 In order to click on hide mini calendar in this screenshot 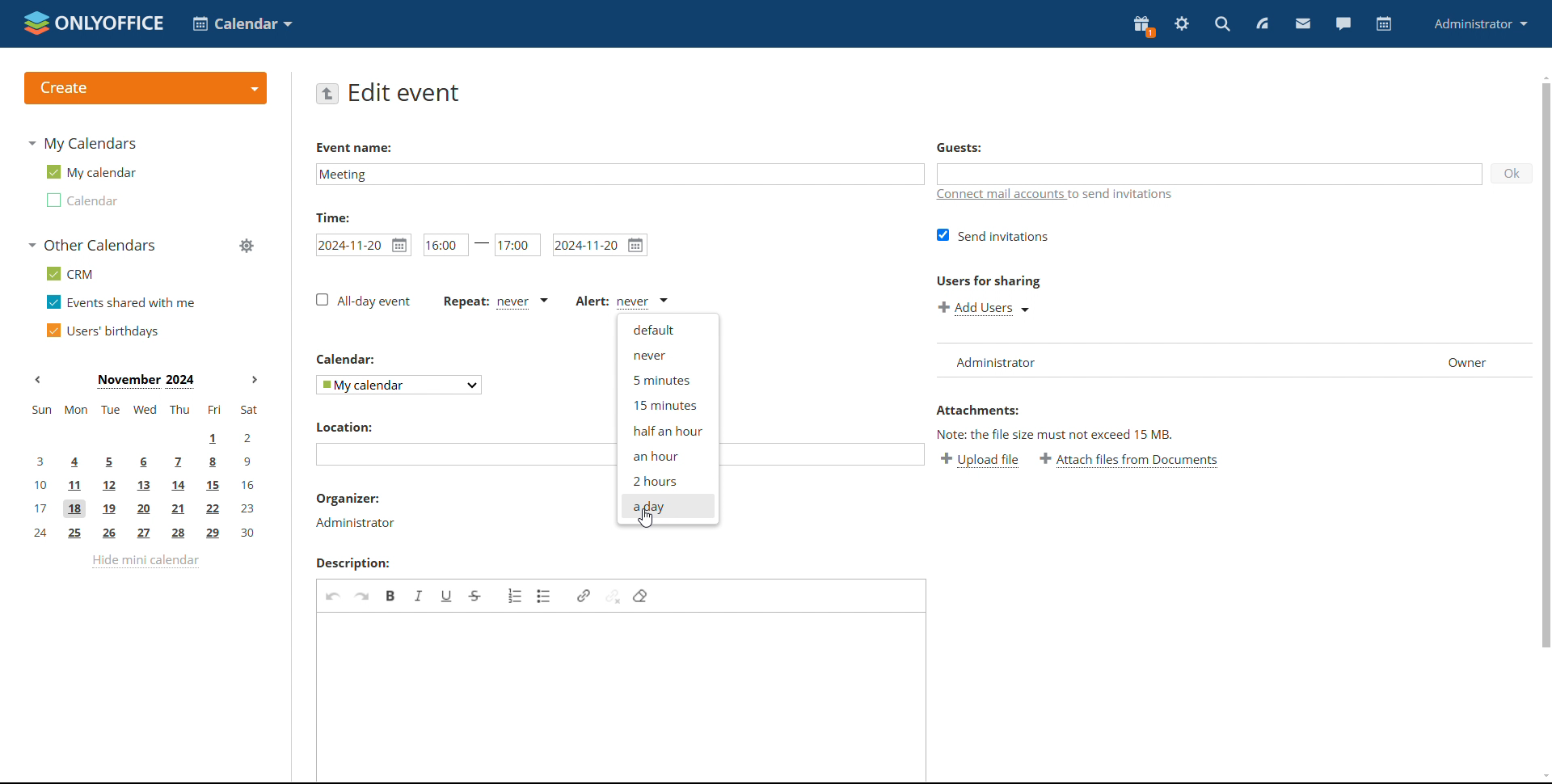, I will do `click(145, 561)`.